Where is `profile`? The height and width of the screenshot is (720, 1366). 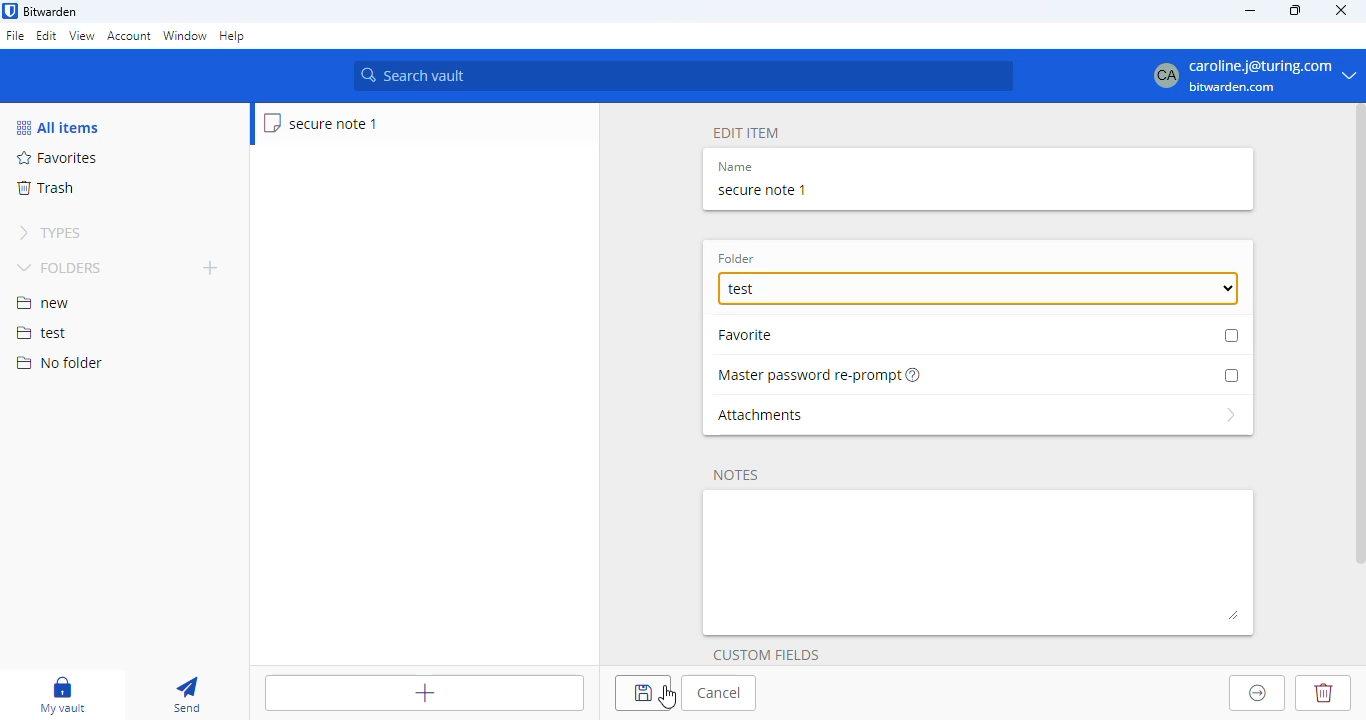 profile is located at coordinates (1247, 75).